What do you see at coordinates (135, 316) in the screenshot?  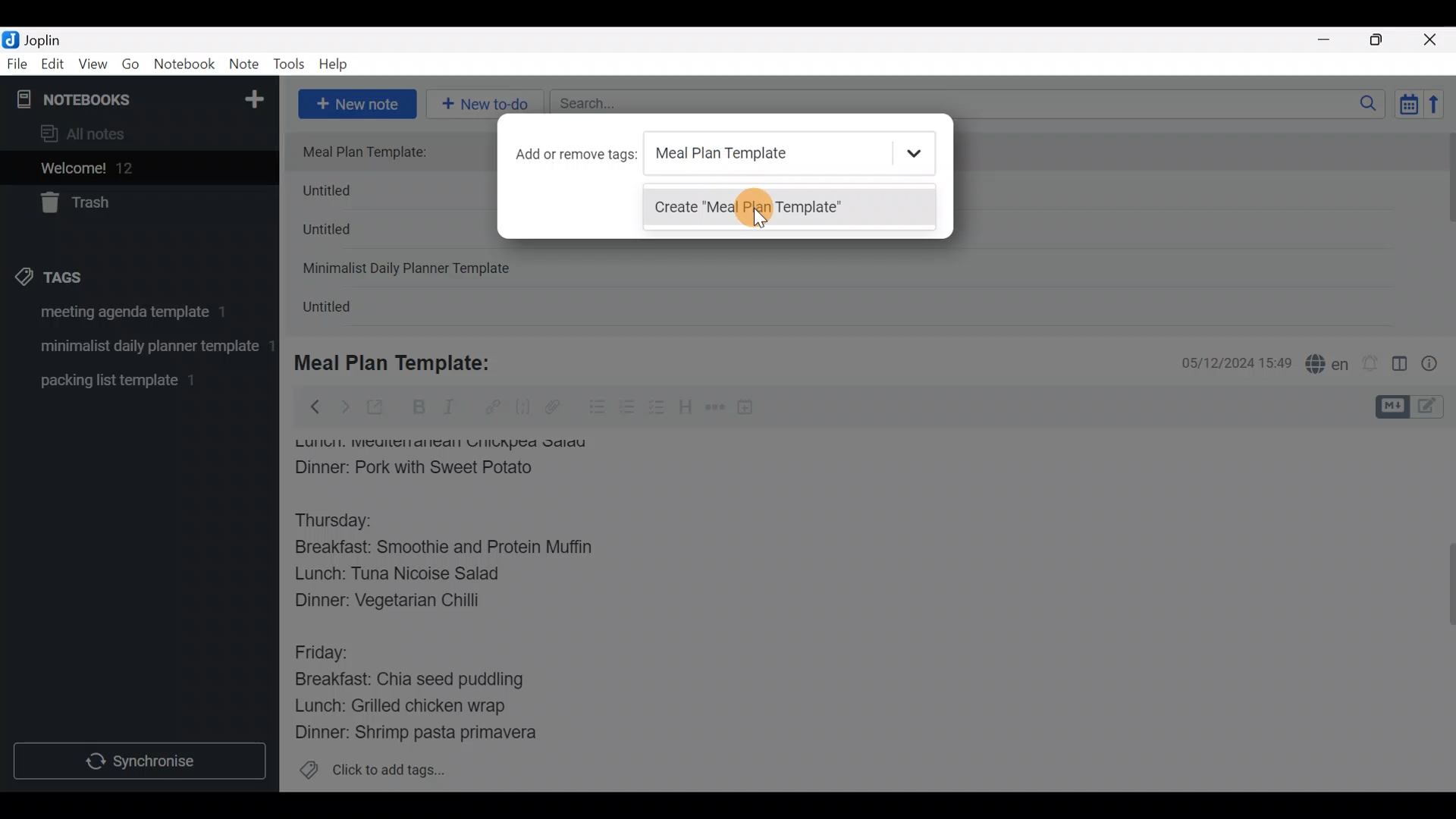 I see `Tag 1` at bounding box center [135, 316].